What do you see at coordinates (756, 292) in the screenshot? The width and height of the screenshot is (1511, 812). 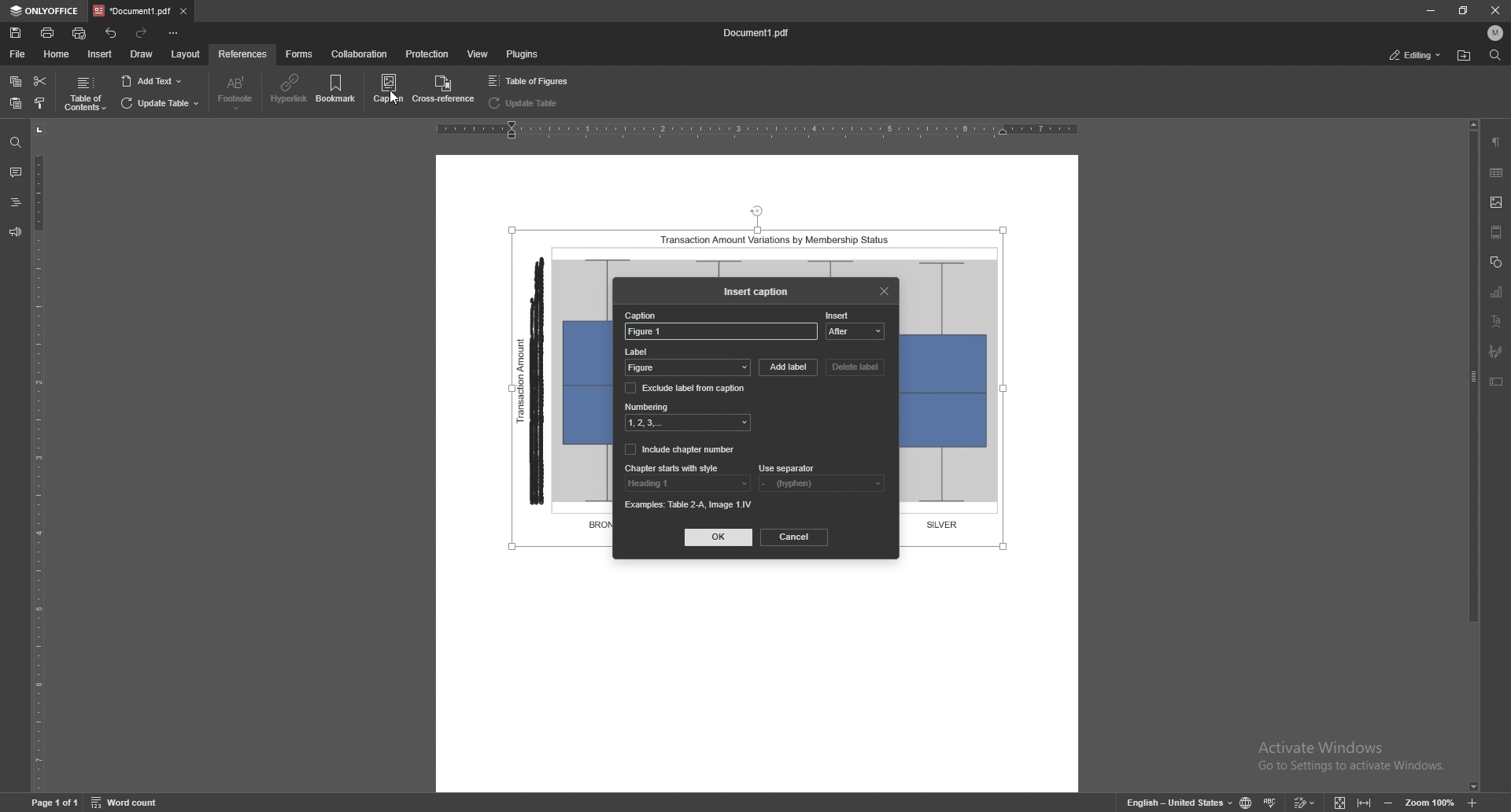 I see `insert caption` at bounding box center [756, 292].